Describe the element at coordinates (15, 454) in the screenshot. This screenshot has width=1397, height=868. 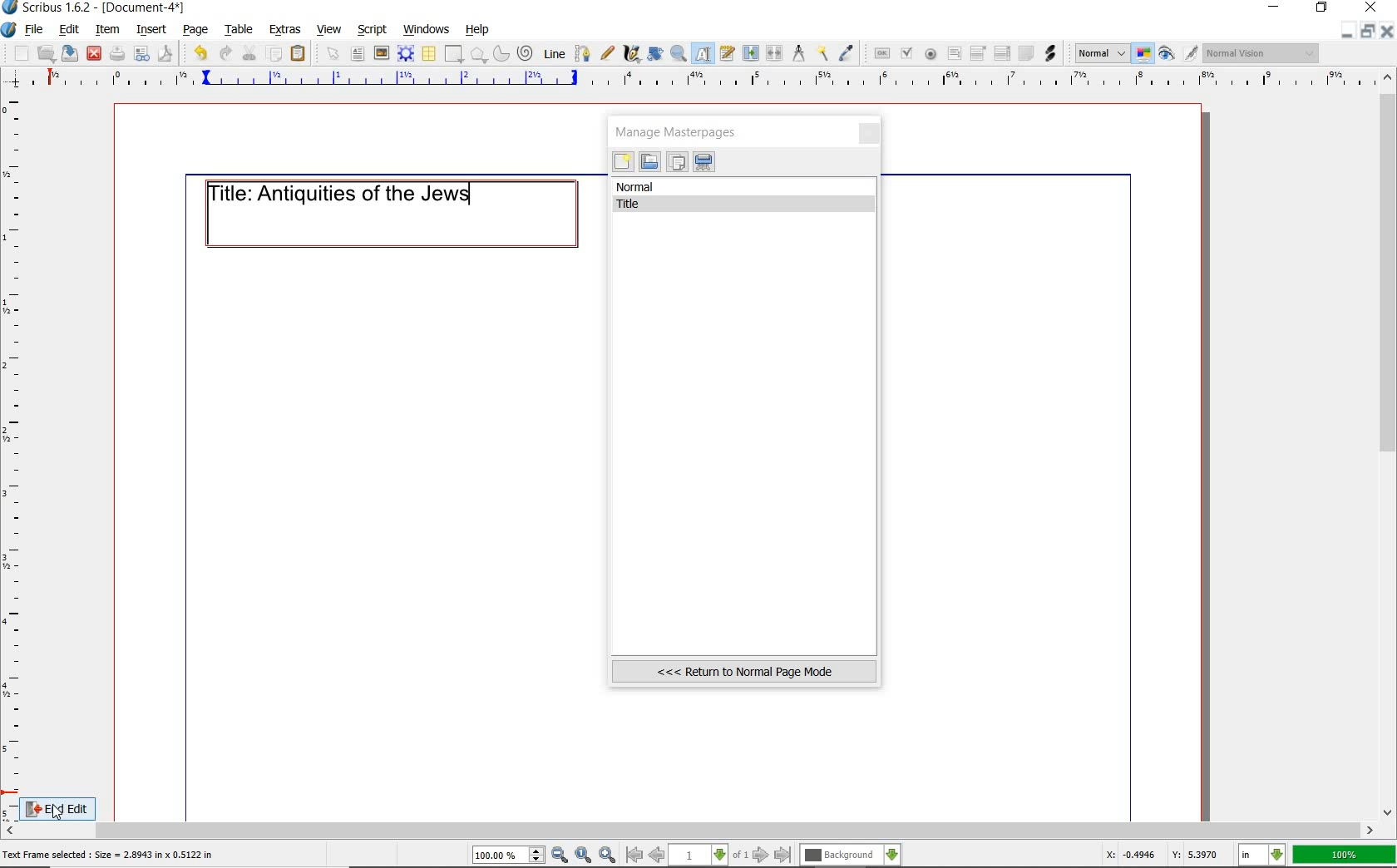
I see `ruler` at that location.